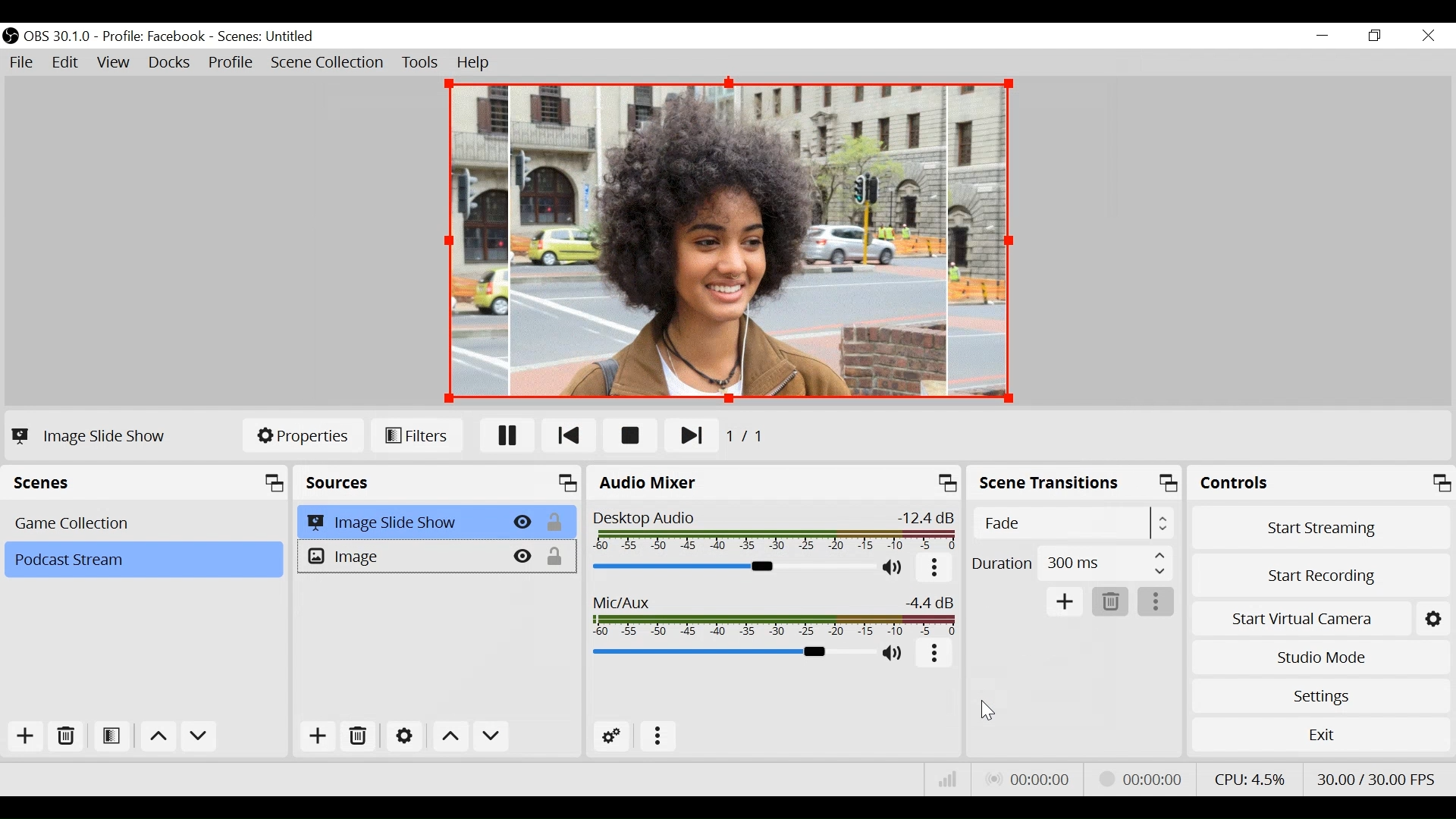 The width and height of the screenshot is (1456, 819). What do you see at coordinates (936, 654) in the screenshot?
I see `More options` at bounding box center [936, 654].